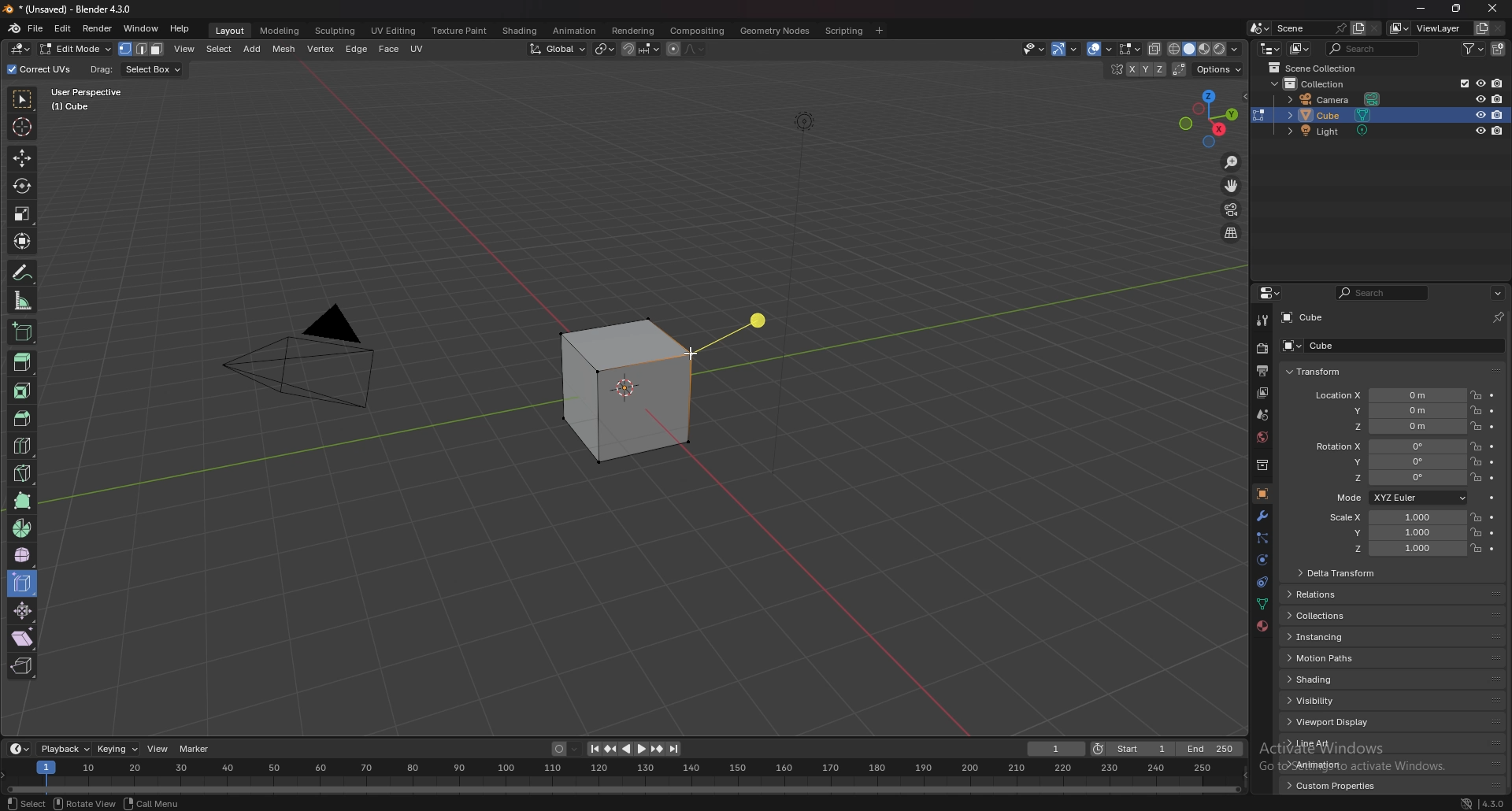 This screenshot has height=811, width=1512. Describe the element at coordinates (1205, 50) in the screenshot. I see `viewport shading` at that location.